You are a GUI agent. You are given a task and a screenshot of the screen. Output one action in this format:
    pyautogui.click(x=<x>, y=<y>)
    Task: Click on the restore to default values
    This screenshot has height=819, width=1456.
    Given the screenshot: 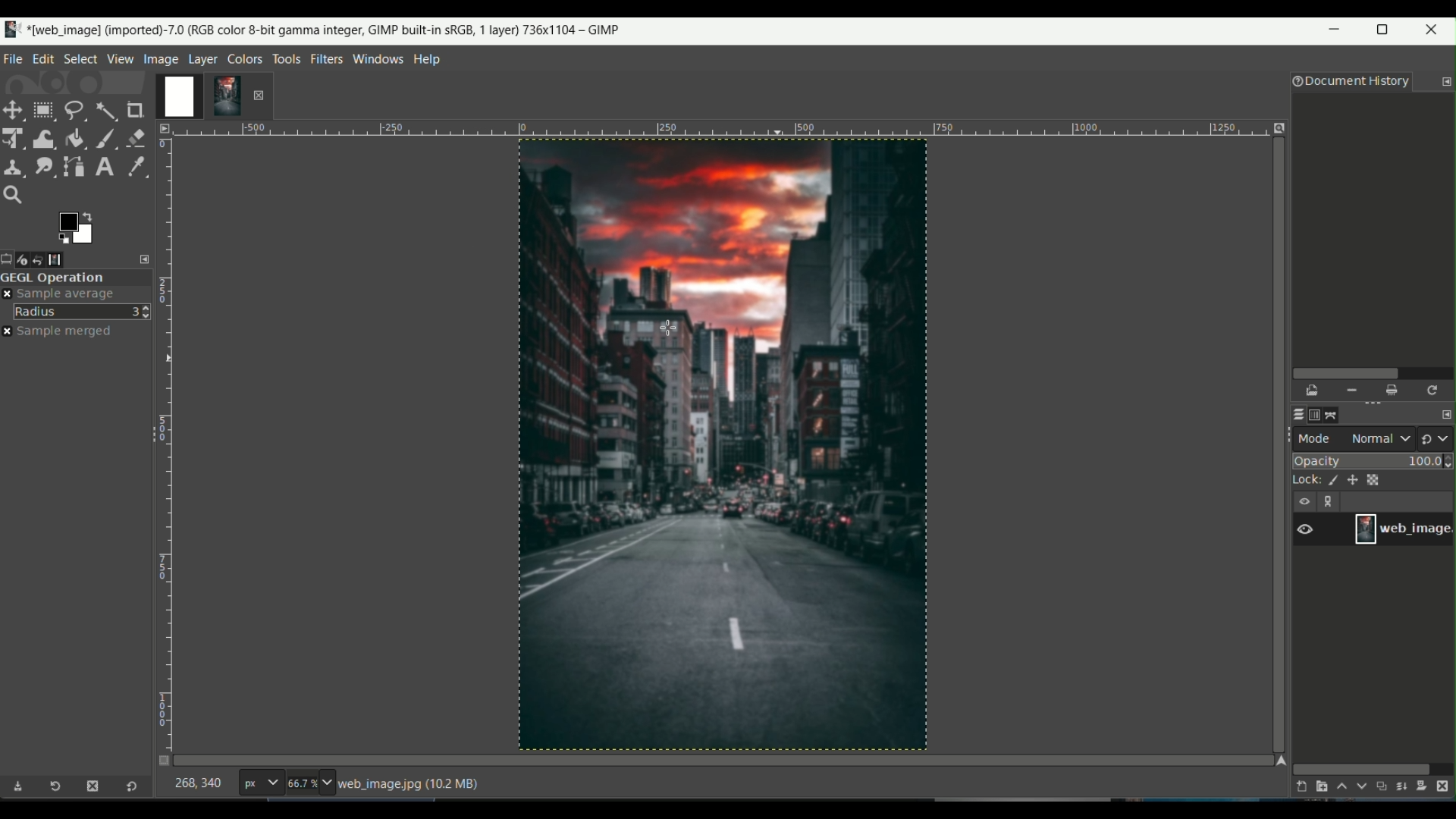 What is the action you would take?
    pyautogui.click(x=128, y=788)
    